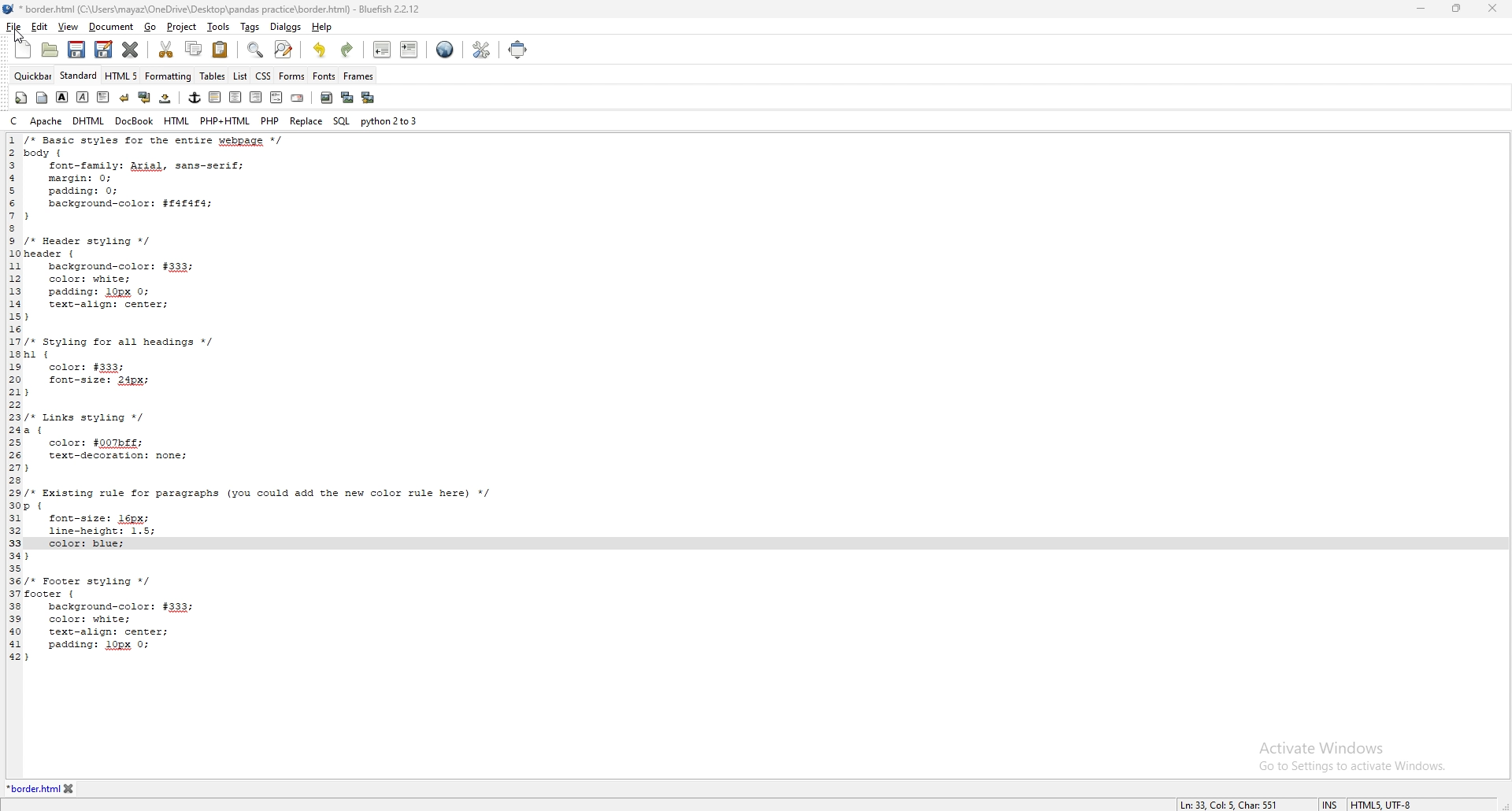 This screenshot has height=811, width=1512. Describe the element at coordinates (50, 51) in the screenshot. I see `open` at that location.